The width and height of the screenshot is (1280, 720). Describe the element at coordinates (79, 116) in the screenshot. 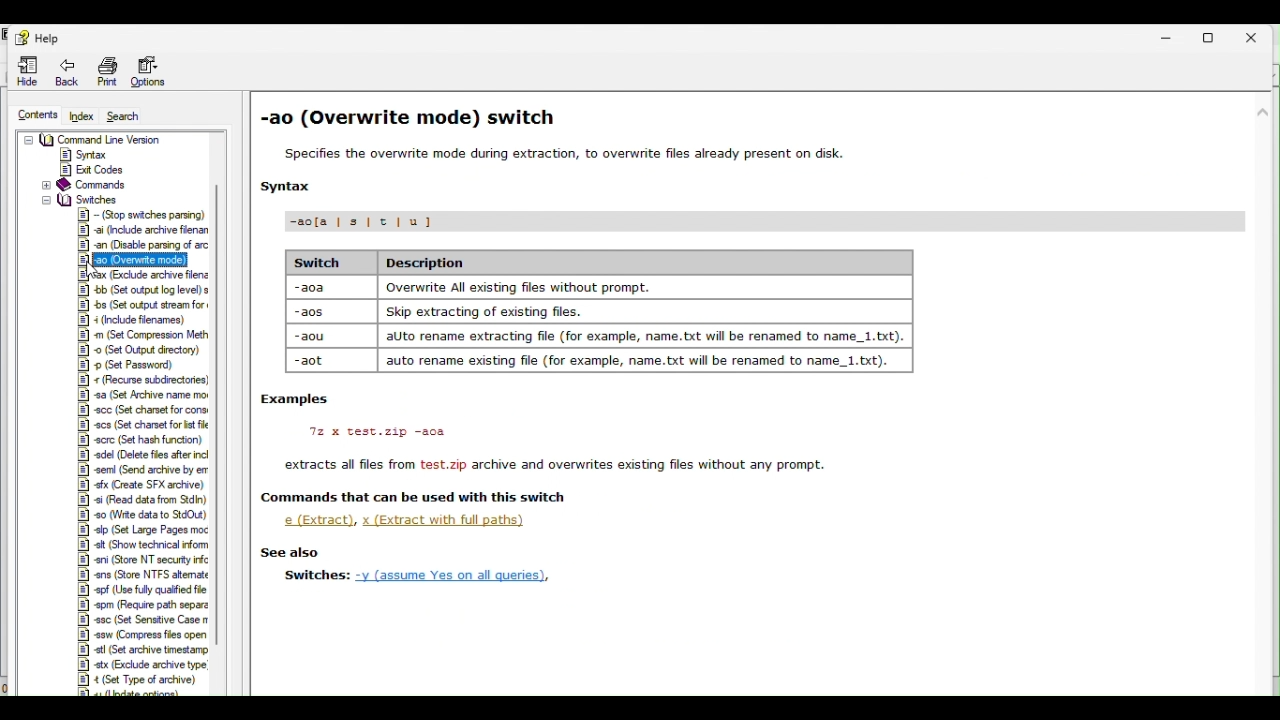

I see `Index` at that location.